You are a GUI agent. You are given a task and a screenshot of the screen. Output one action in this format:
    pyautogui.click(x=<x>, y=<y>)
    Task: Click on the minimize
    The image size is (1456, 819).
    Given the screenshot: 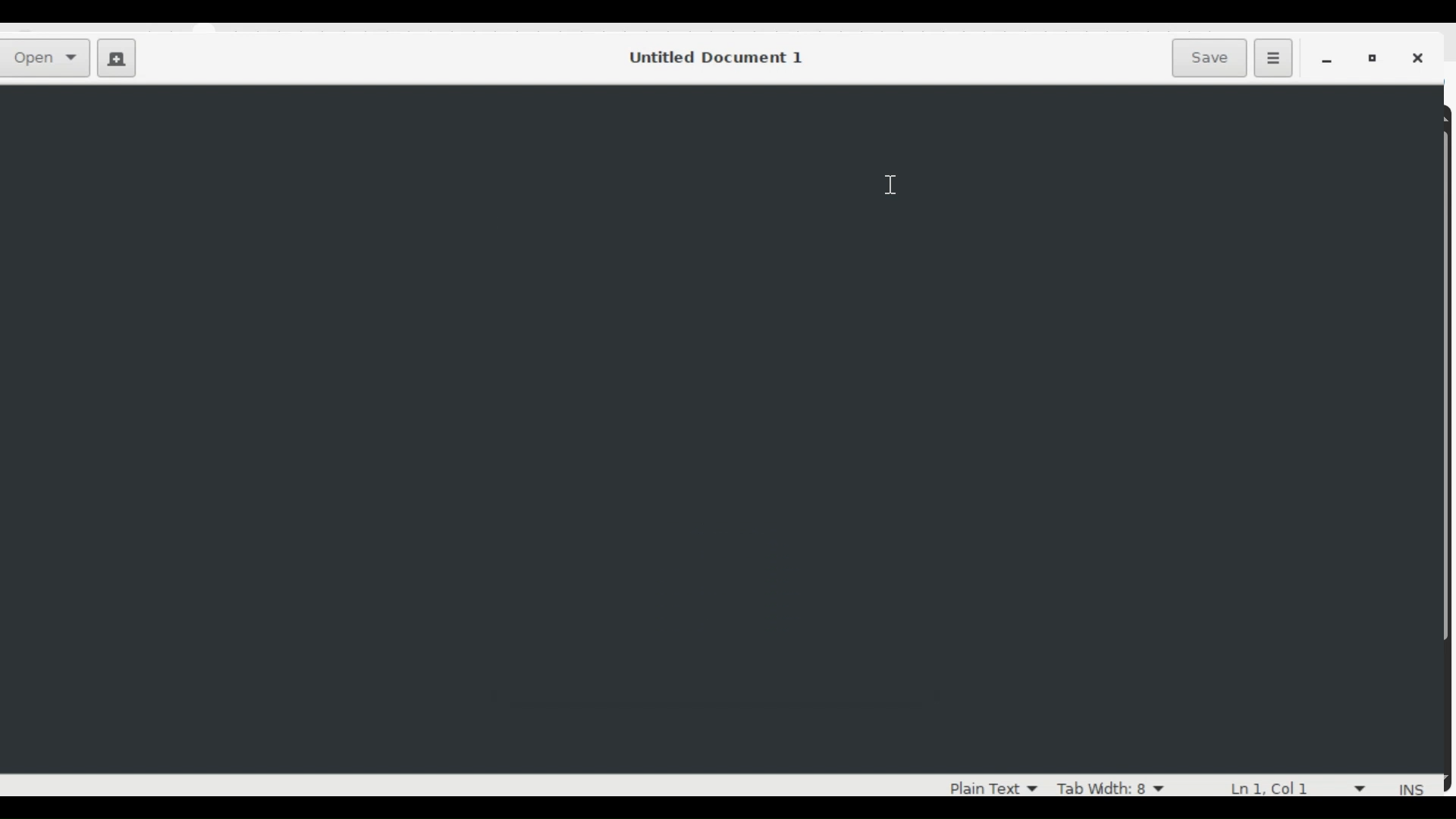 What is the action you would take?
    pyautogui.click(x=1330, y=60)
    